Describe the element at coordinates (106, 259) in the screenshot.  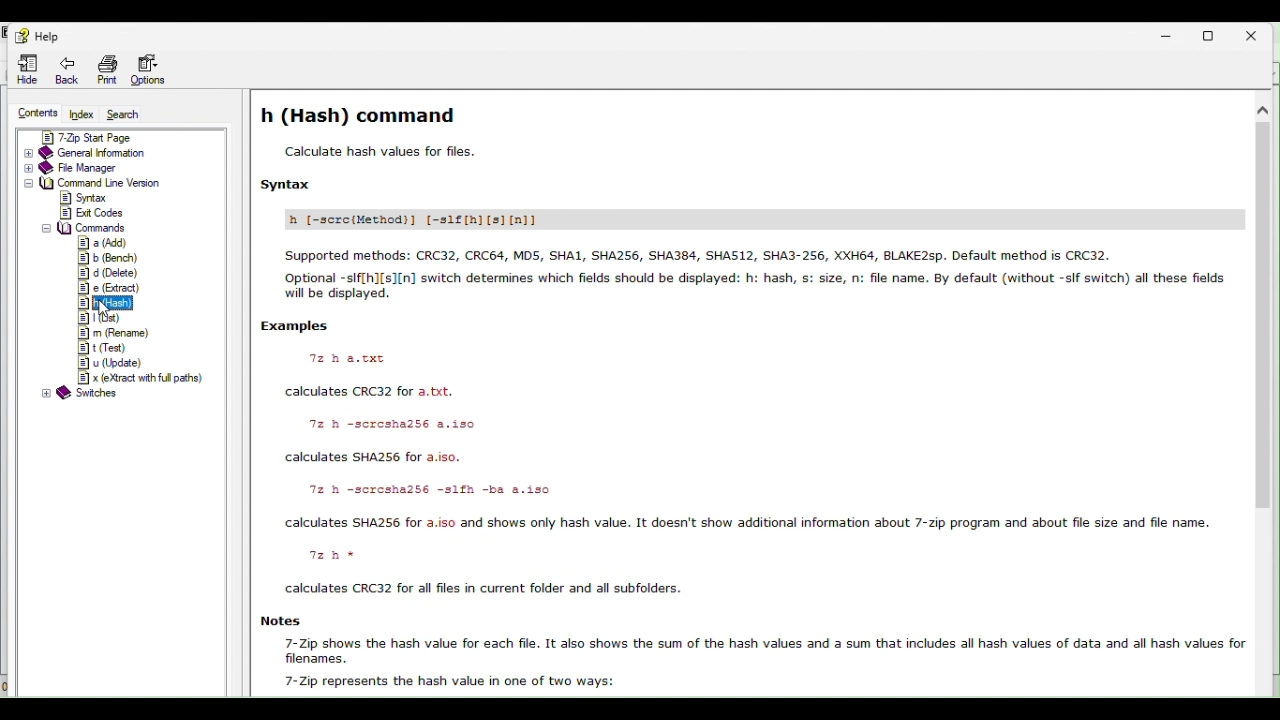
I see `b(bench)` at that location.